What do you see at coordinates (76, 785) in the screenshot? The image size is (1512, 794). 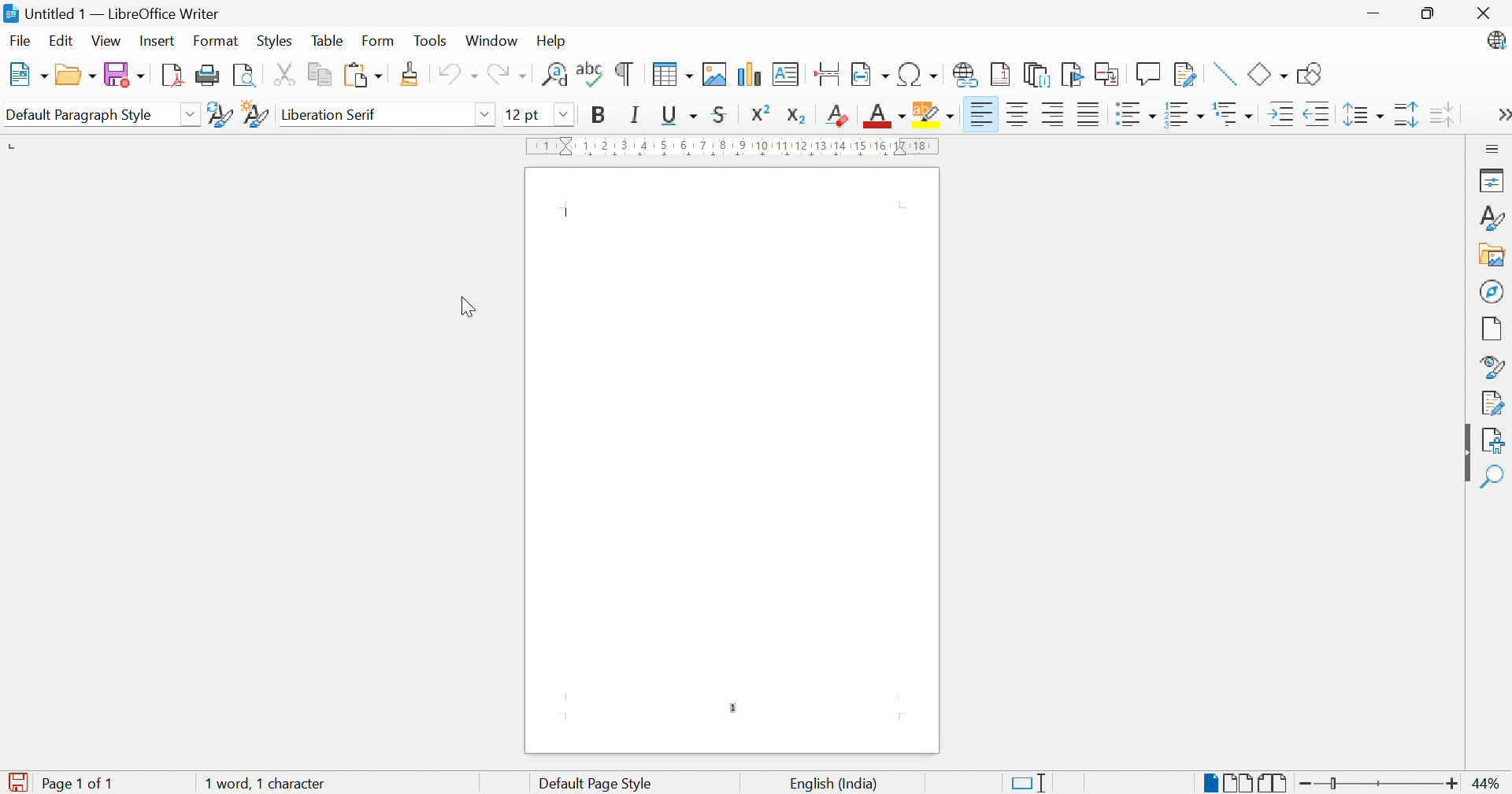 I see `Page 1 of 1` at bounding box center [76, 785].